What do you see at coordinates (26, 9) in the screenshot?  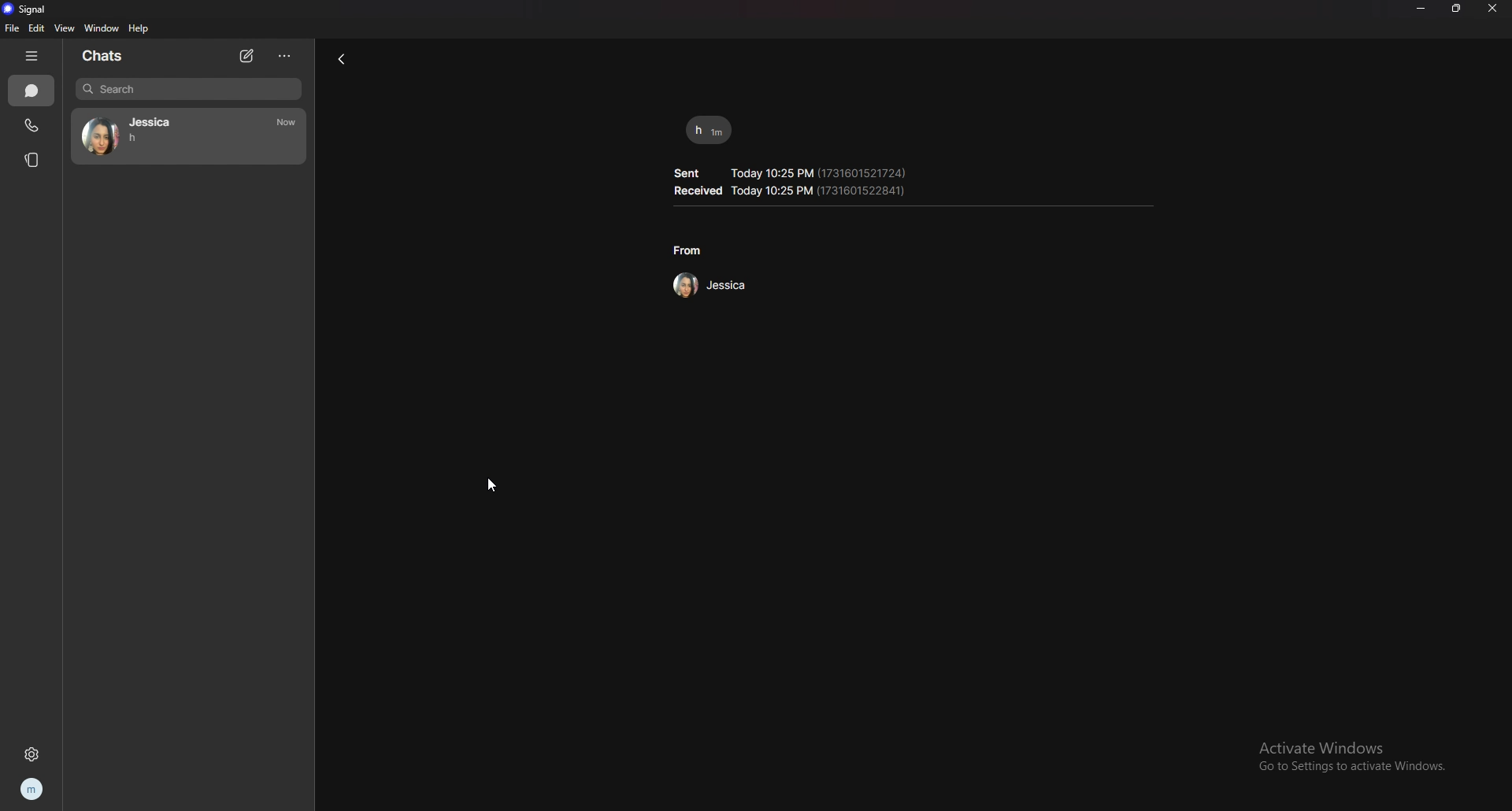 I see `signal` at bounding box center [26, 9].